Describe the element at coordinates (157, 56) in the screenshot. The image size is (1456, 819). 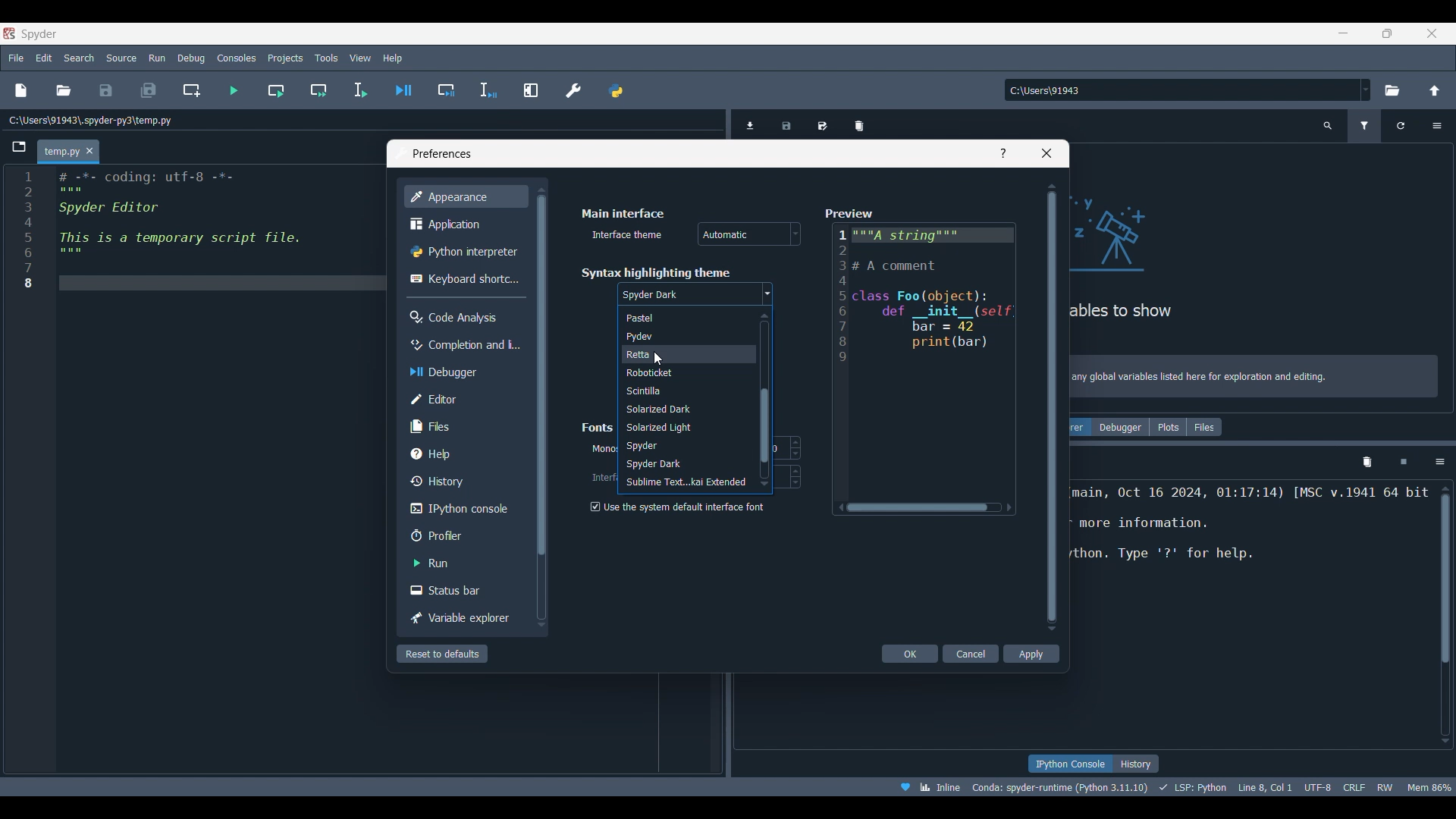
I see `Run menu` at that location.